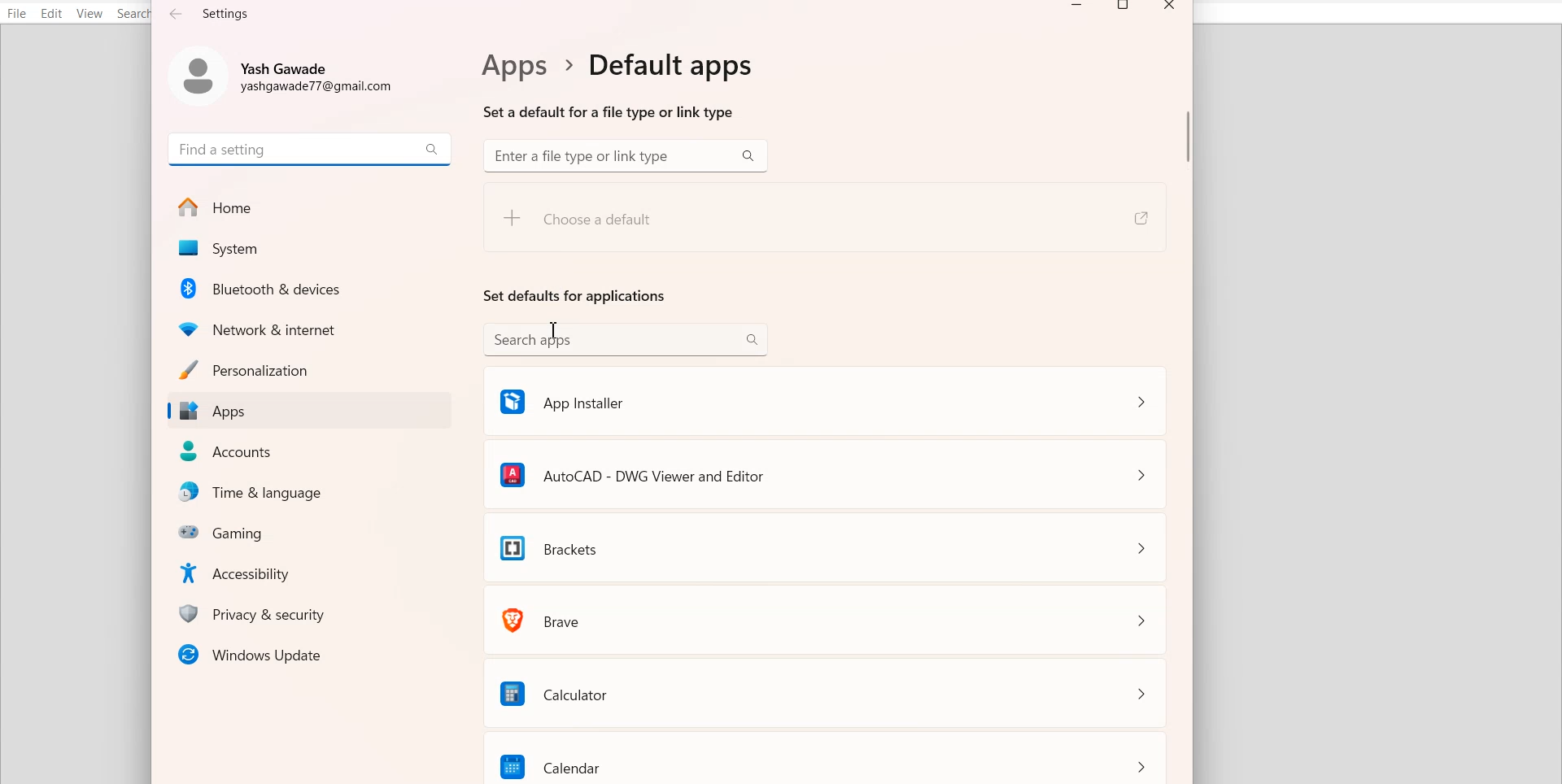  I want to click on File, so click(17, 13).